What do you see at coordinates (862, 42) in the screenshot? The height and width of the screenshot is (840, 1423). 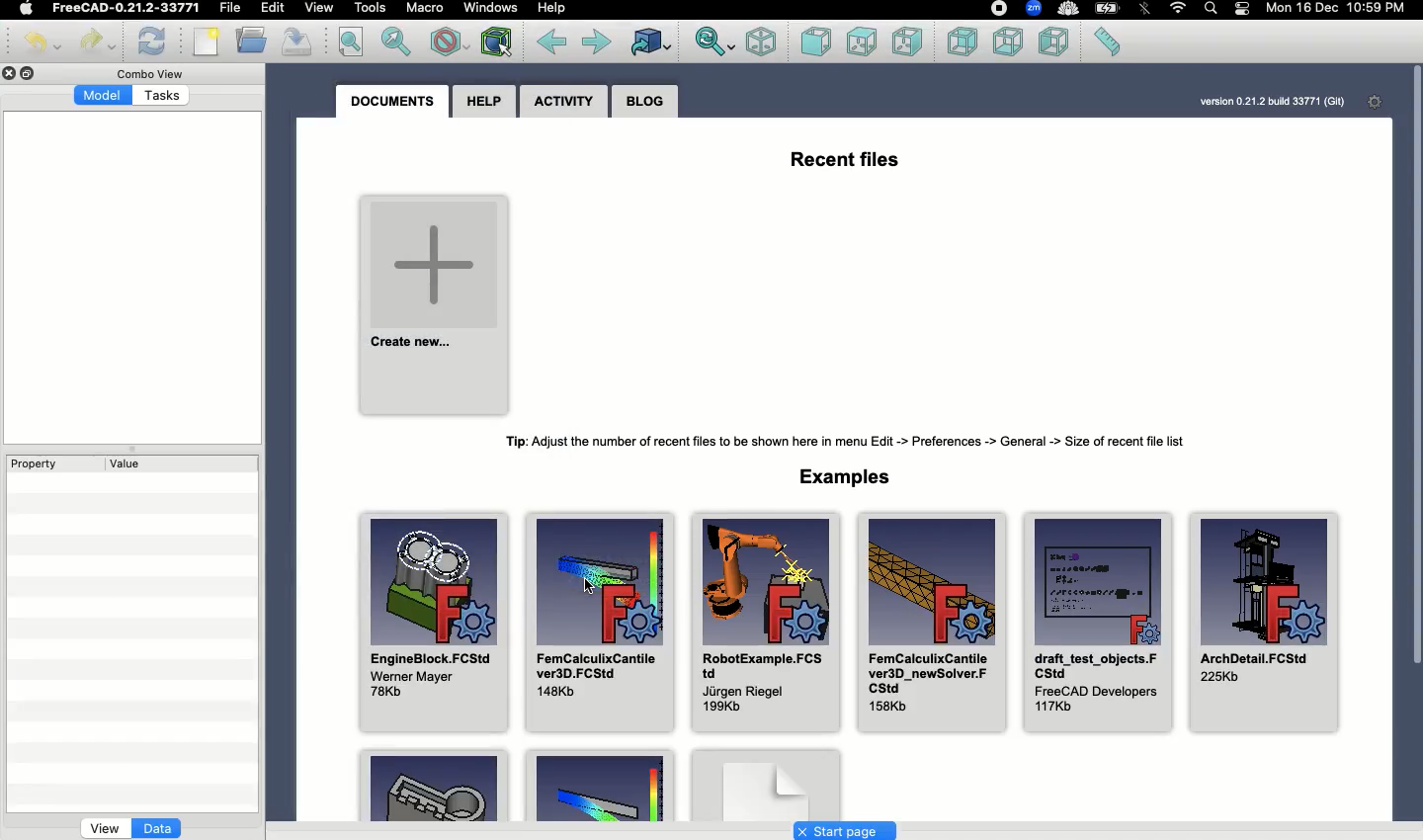 I see `Top` at bounding box center [862, 42].